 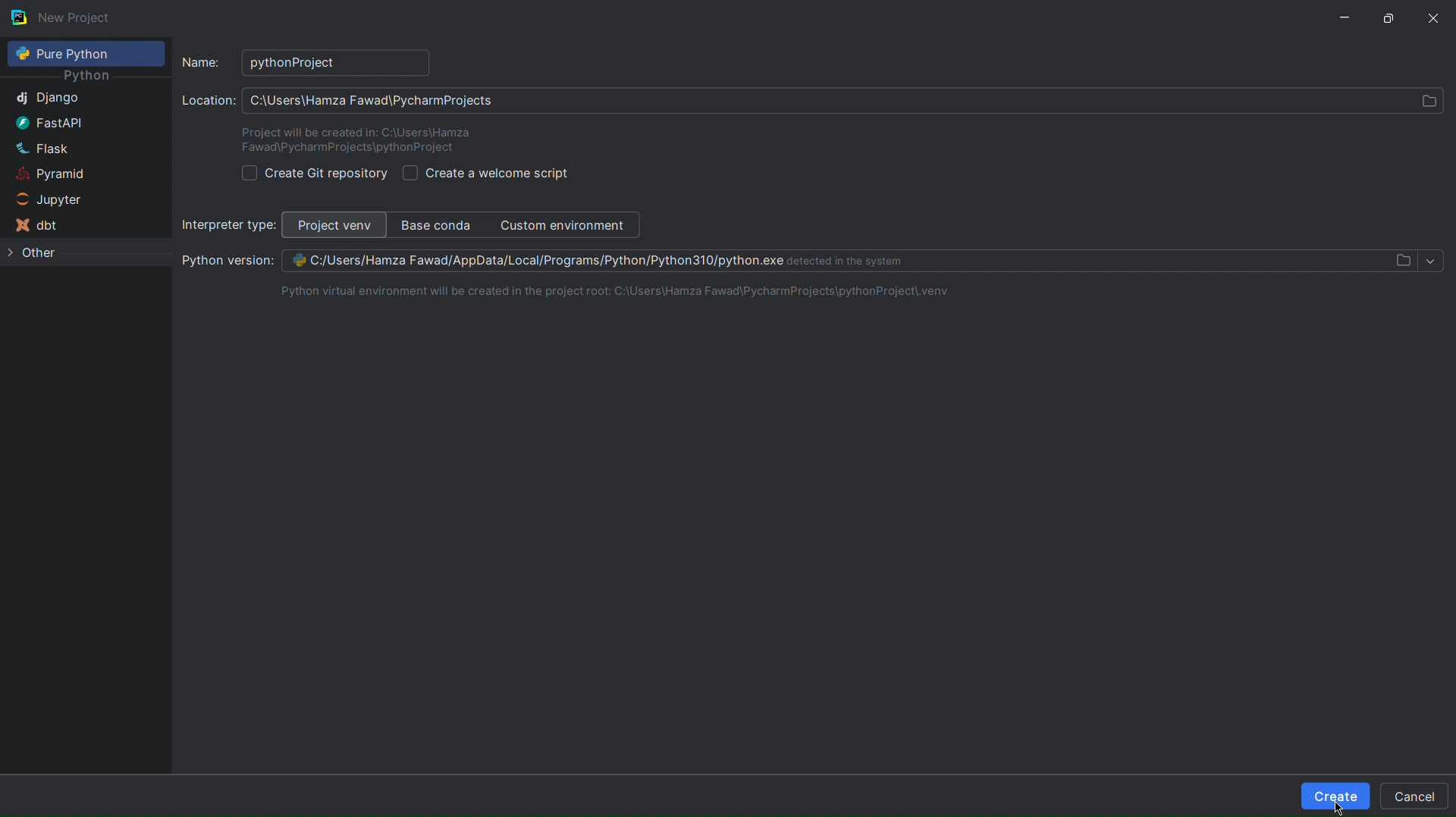 What do you see at coordinates (226, 225) in the screenshot?
I see `Interpreter Type` at bounding box center [226, 225].